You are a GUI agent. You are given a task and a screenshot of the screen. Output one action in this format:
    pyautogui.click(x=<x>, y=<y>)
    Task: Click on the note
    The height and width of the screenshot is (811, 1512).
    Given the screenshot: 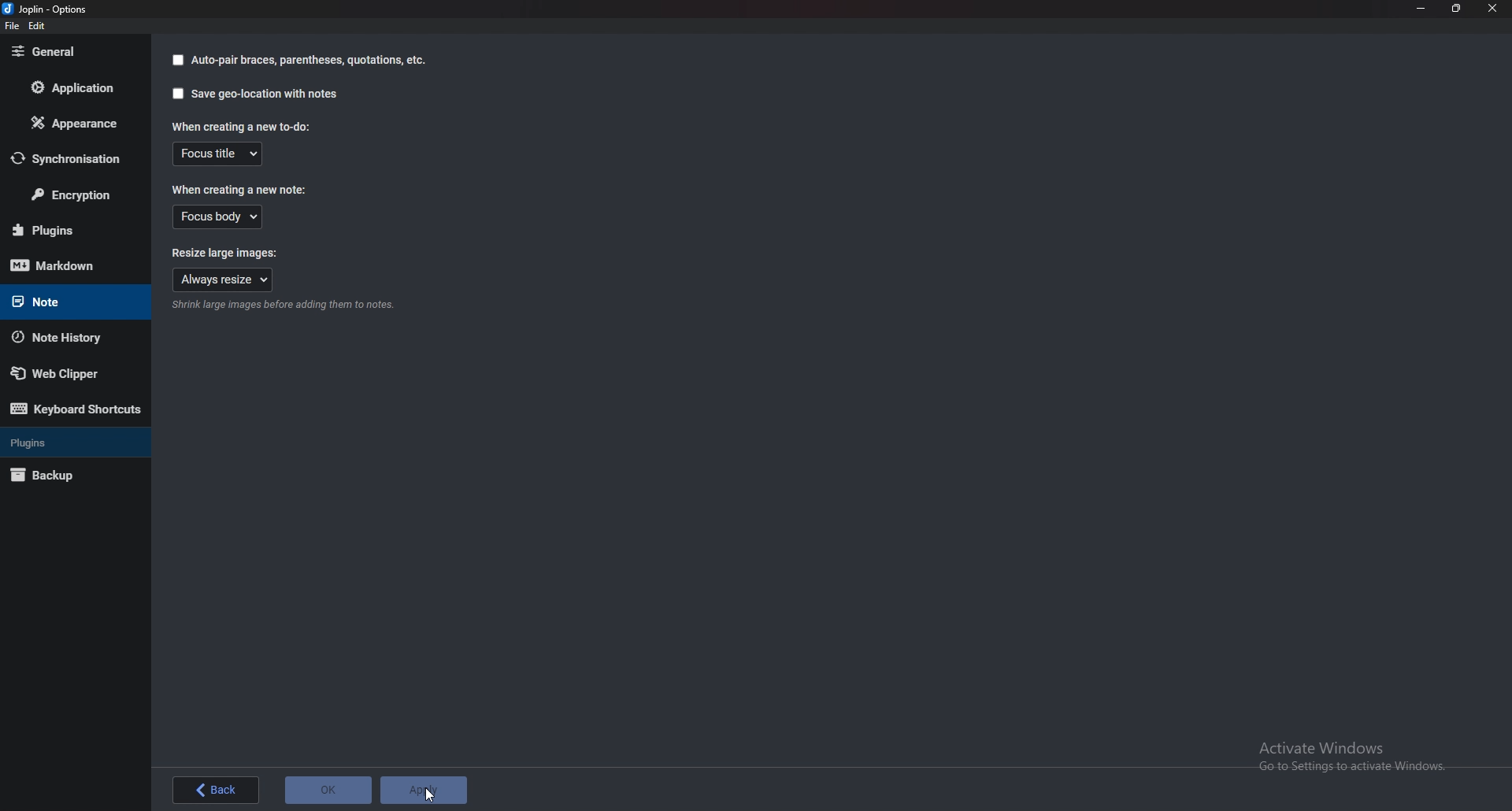 What is the action you would take?
    pyautogui.click(x=64, y=302)
    